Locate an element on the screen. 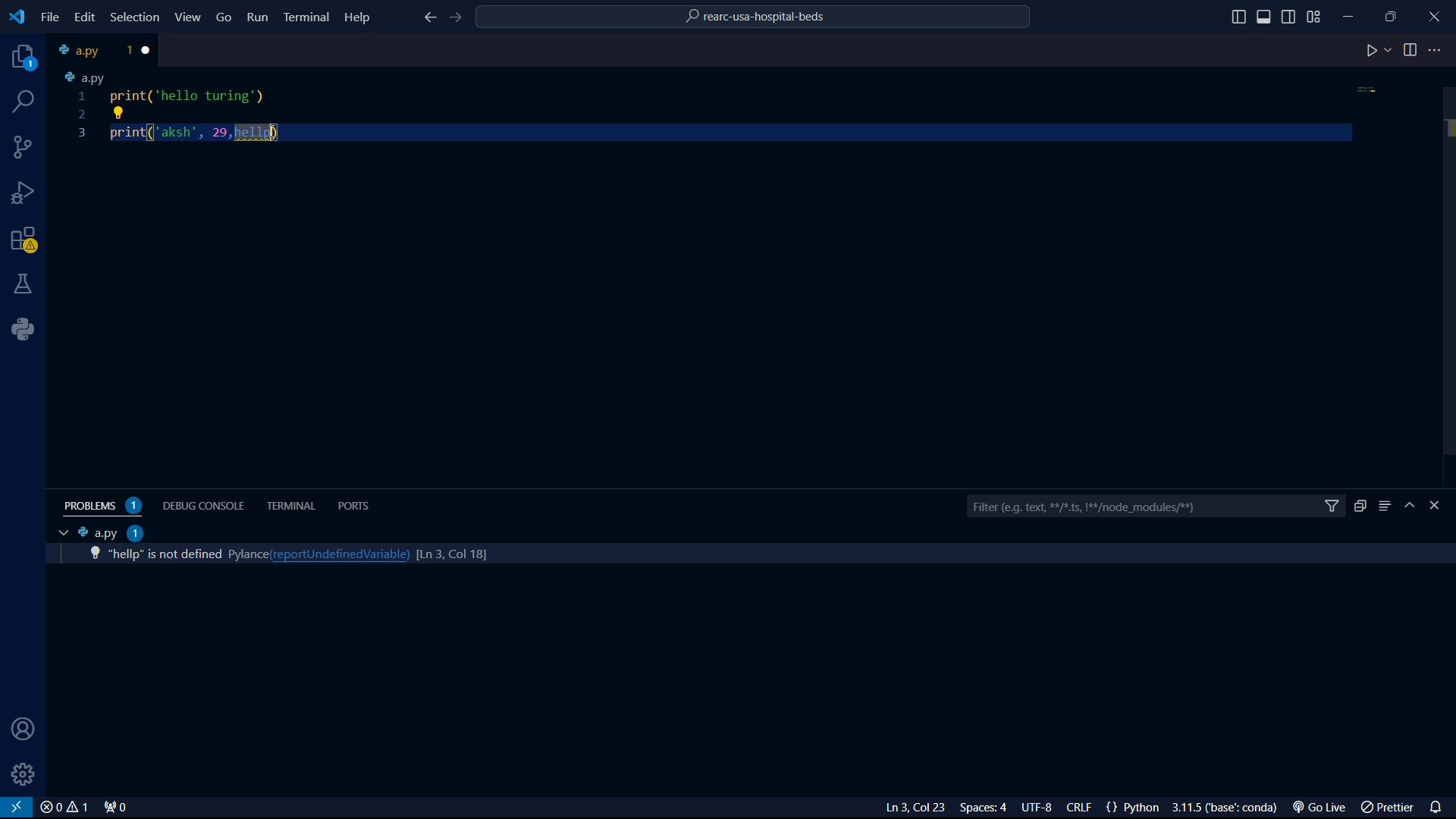  Selection is located at coordinates (137, 18).